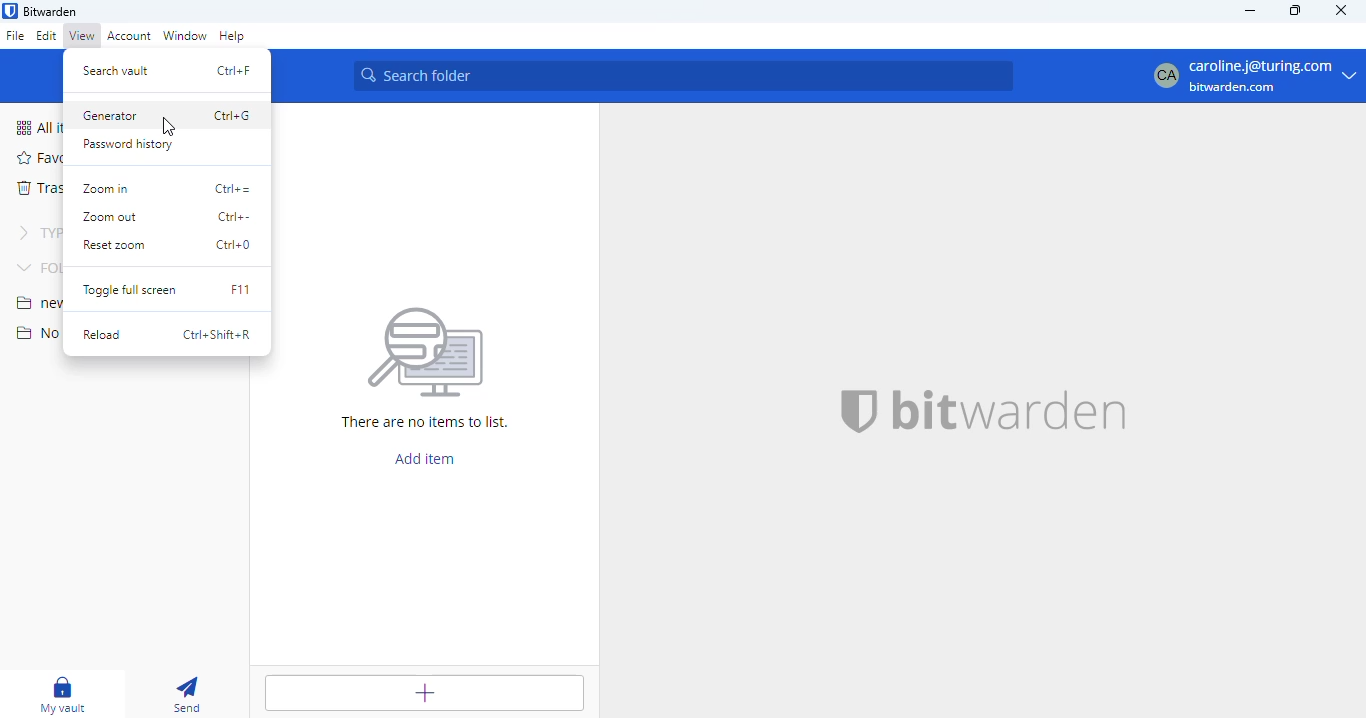 The width and height of the screenshot is (1366, 718). I want to click on shortcut for search vault, so click(235, 70).